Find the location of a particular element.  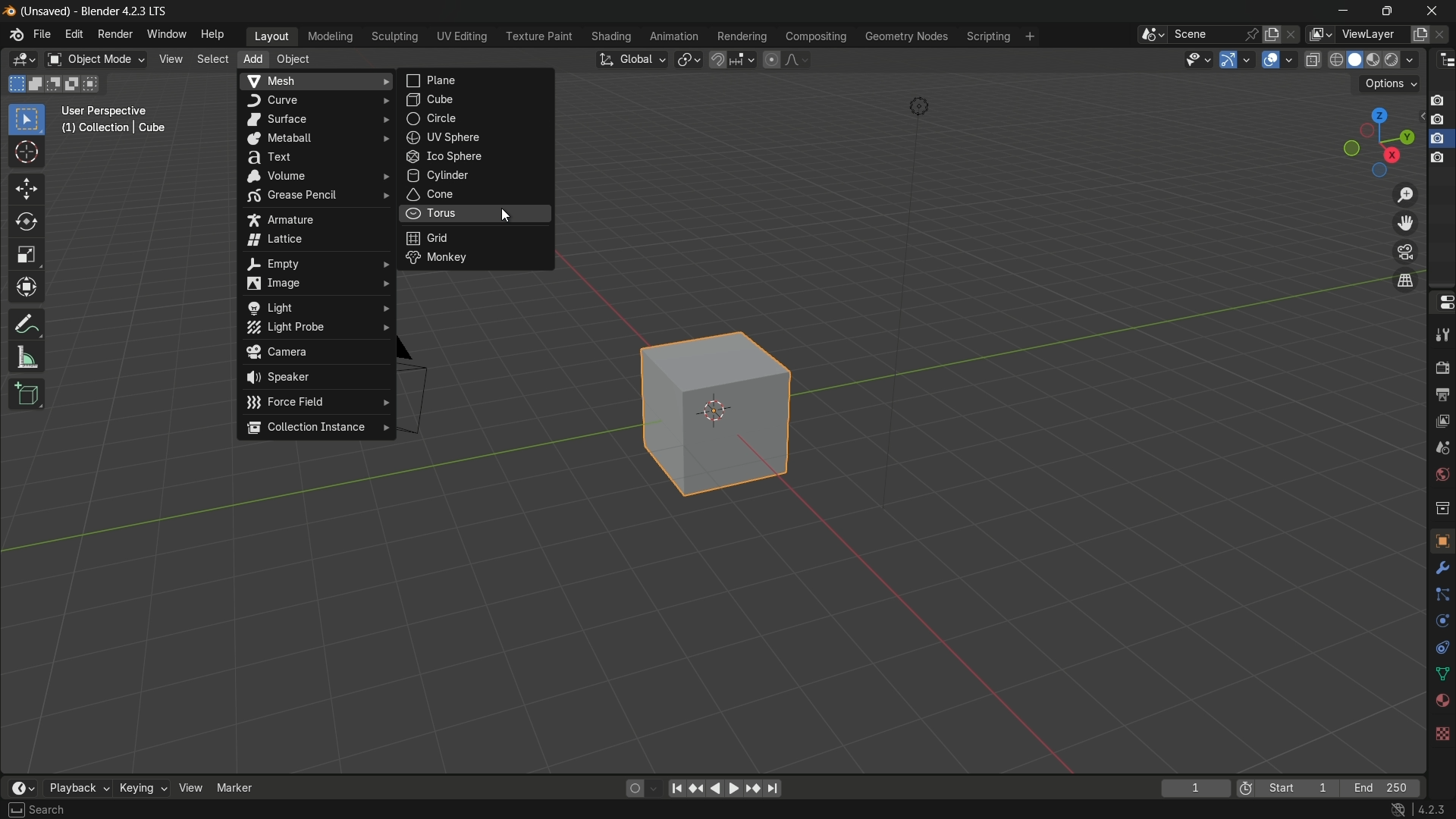

uv sphere is located at coordinates (479, 136).